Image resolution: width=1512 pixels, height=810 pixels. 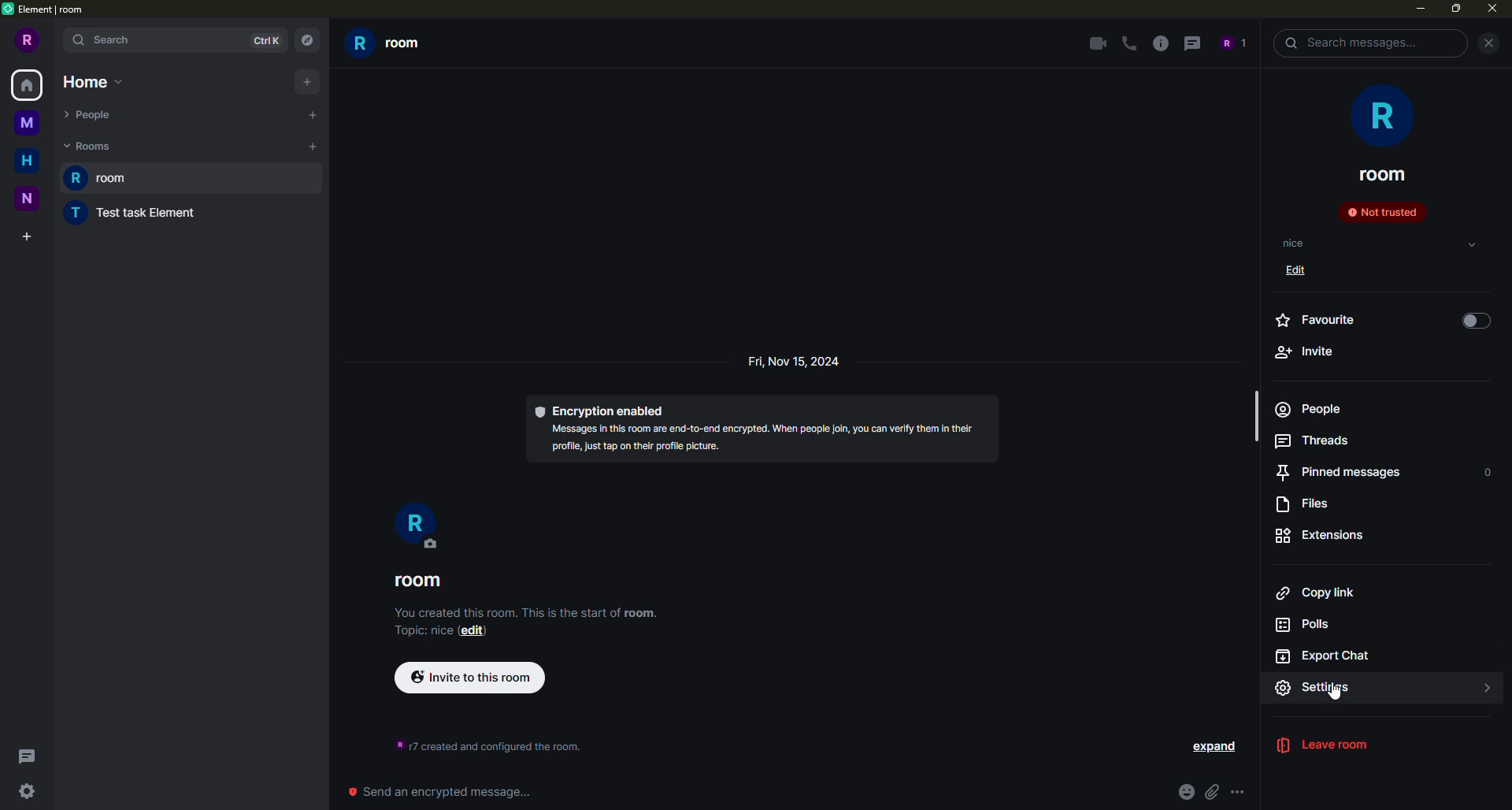 I want to click on video call, so click(x=1094, y=43).